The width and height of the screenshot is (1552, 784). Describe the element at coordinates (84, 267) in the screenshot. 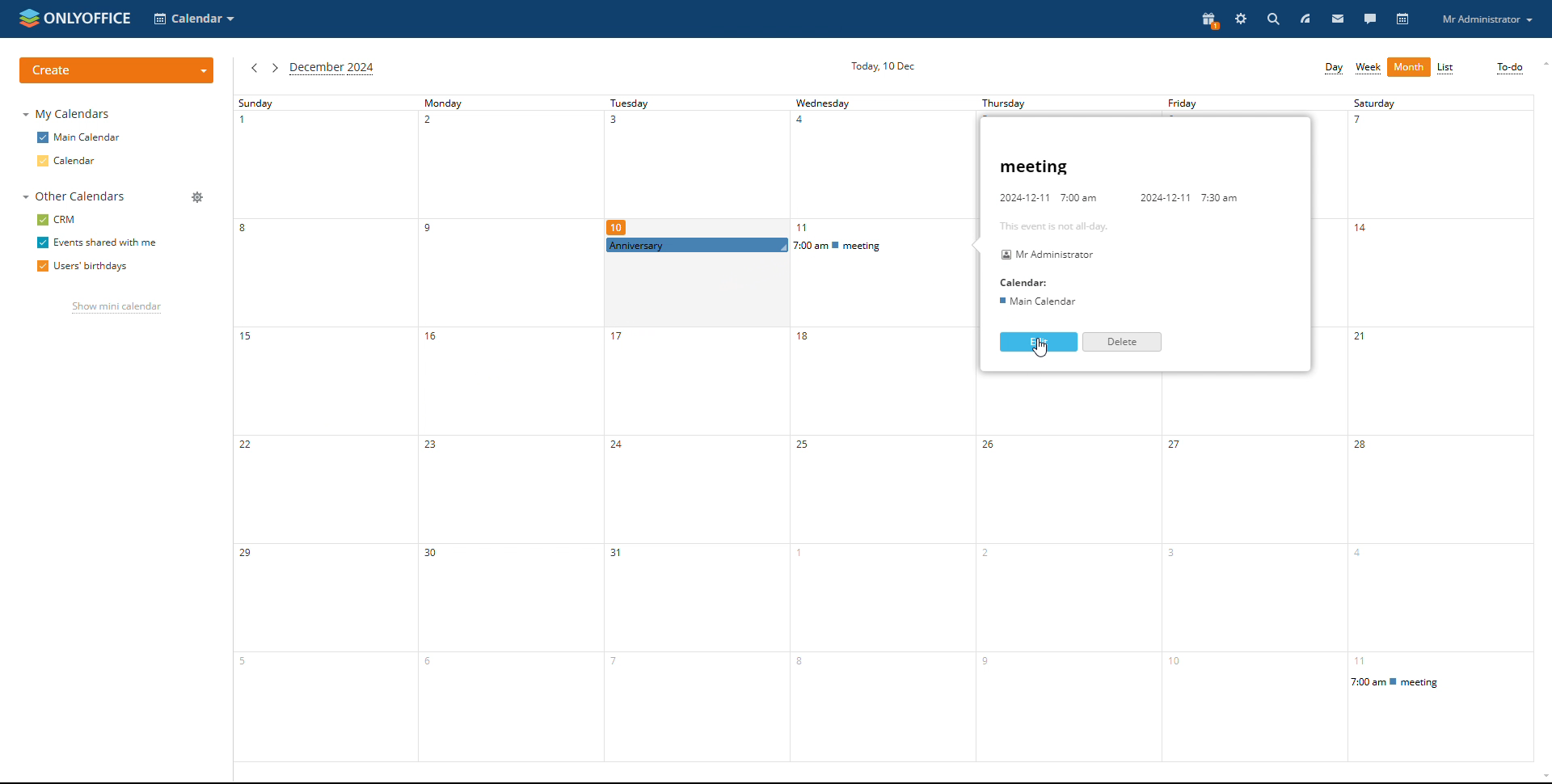

I see `users' birthdays` at that location.